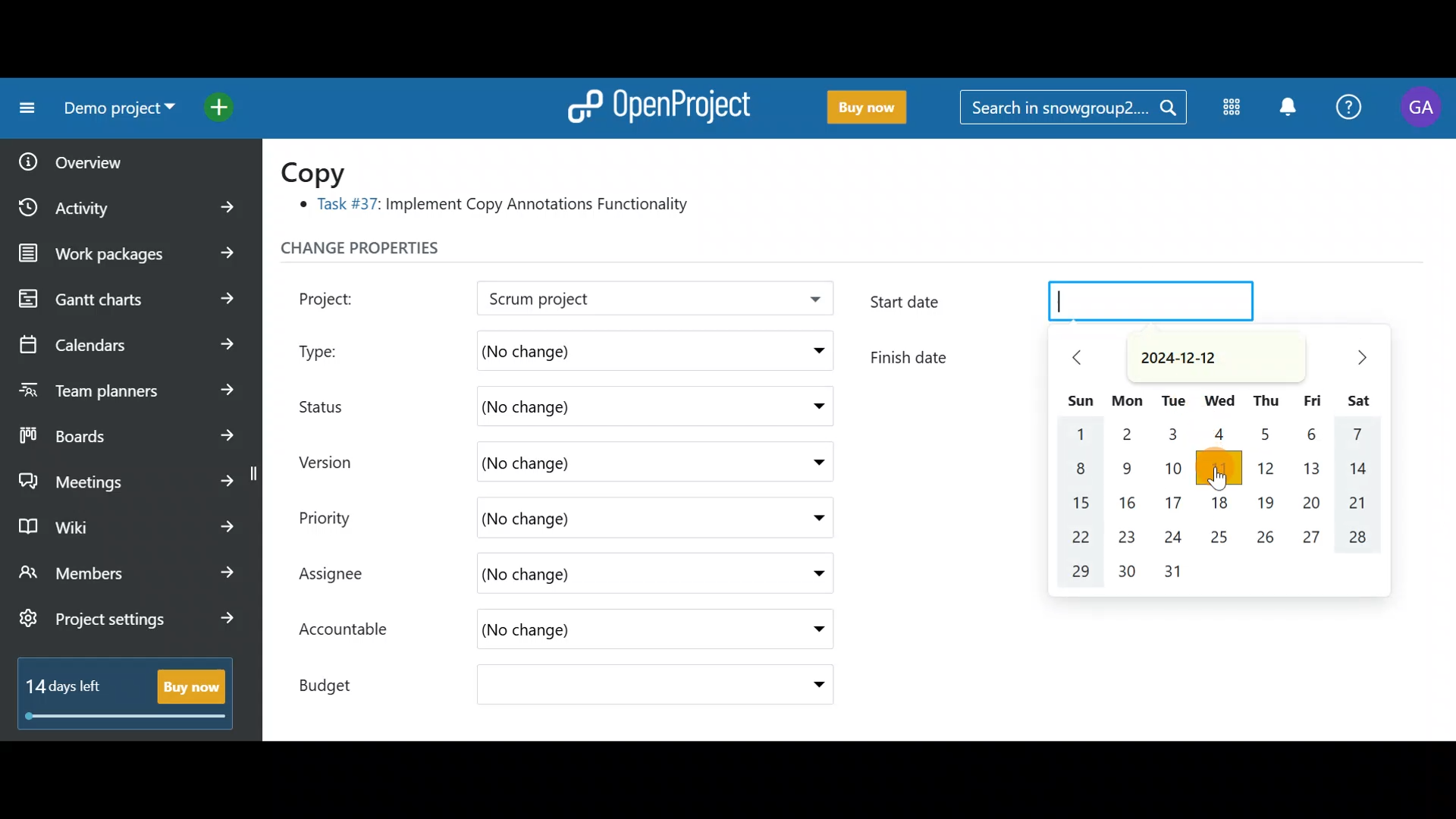  I want to click on Fri, so click(1313, 403).